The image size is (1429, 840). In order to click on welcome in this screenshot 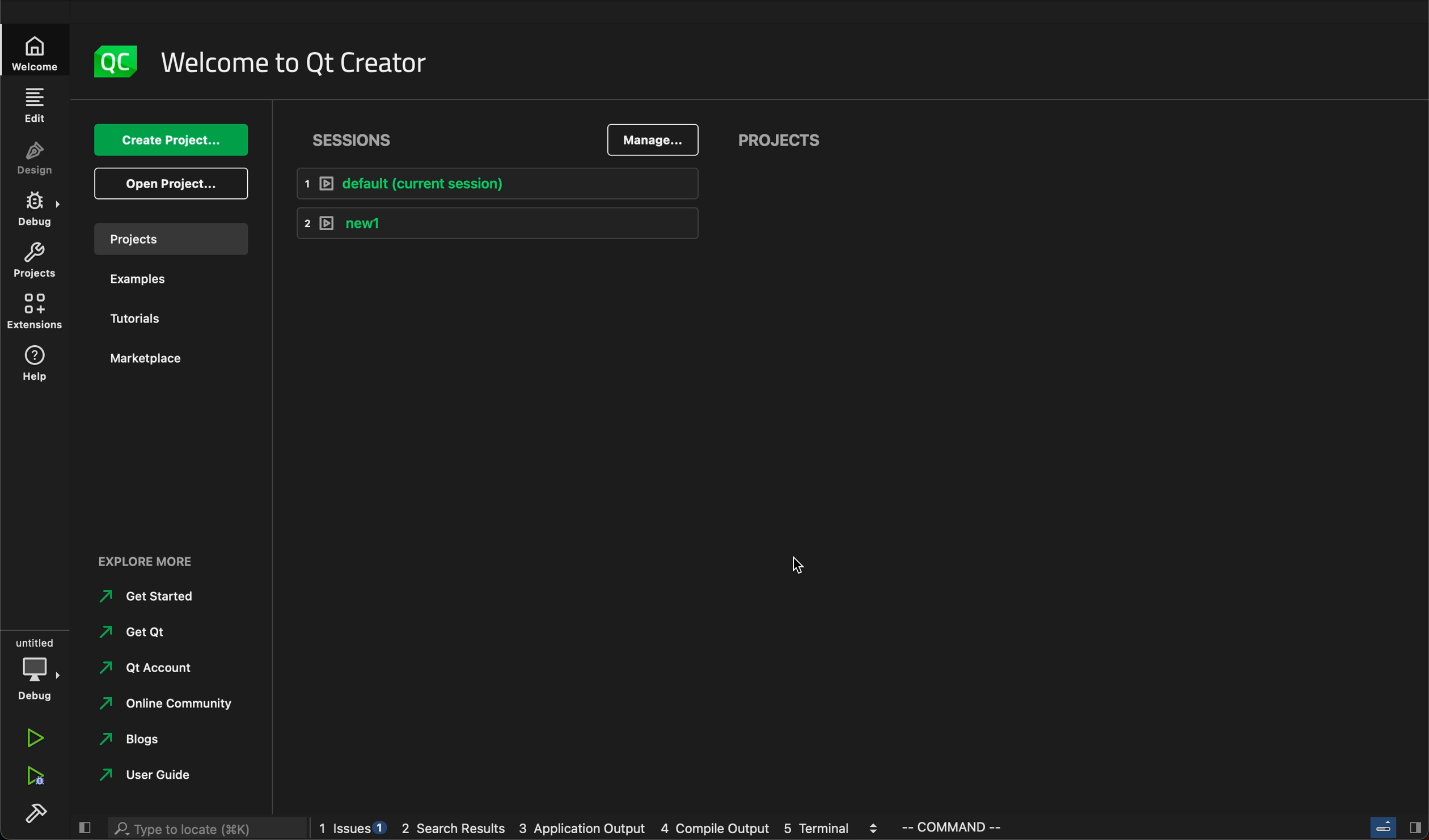, I will do `click(297, 63)`.